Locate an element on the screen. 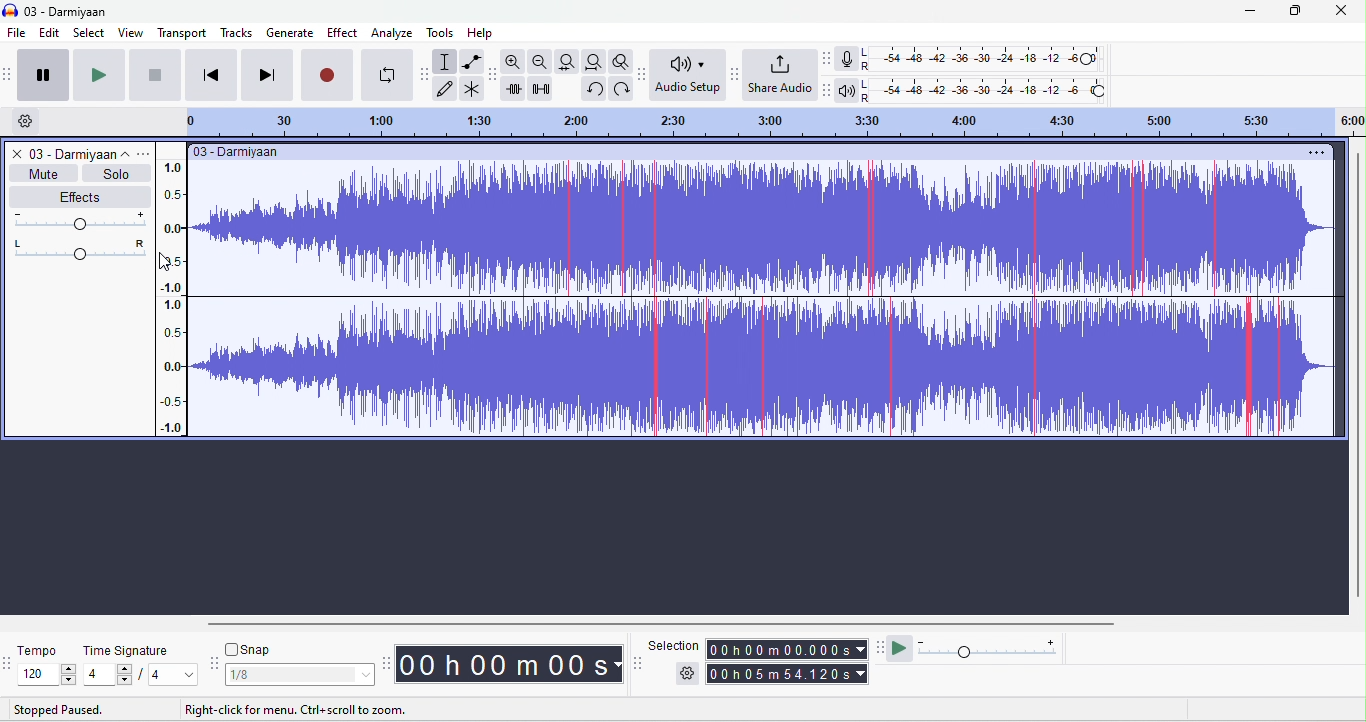 The image size is (1366, 722). recording level is located at coordinates (992, 60).